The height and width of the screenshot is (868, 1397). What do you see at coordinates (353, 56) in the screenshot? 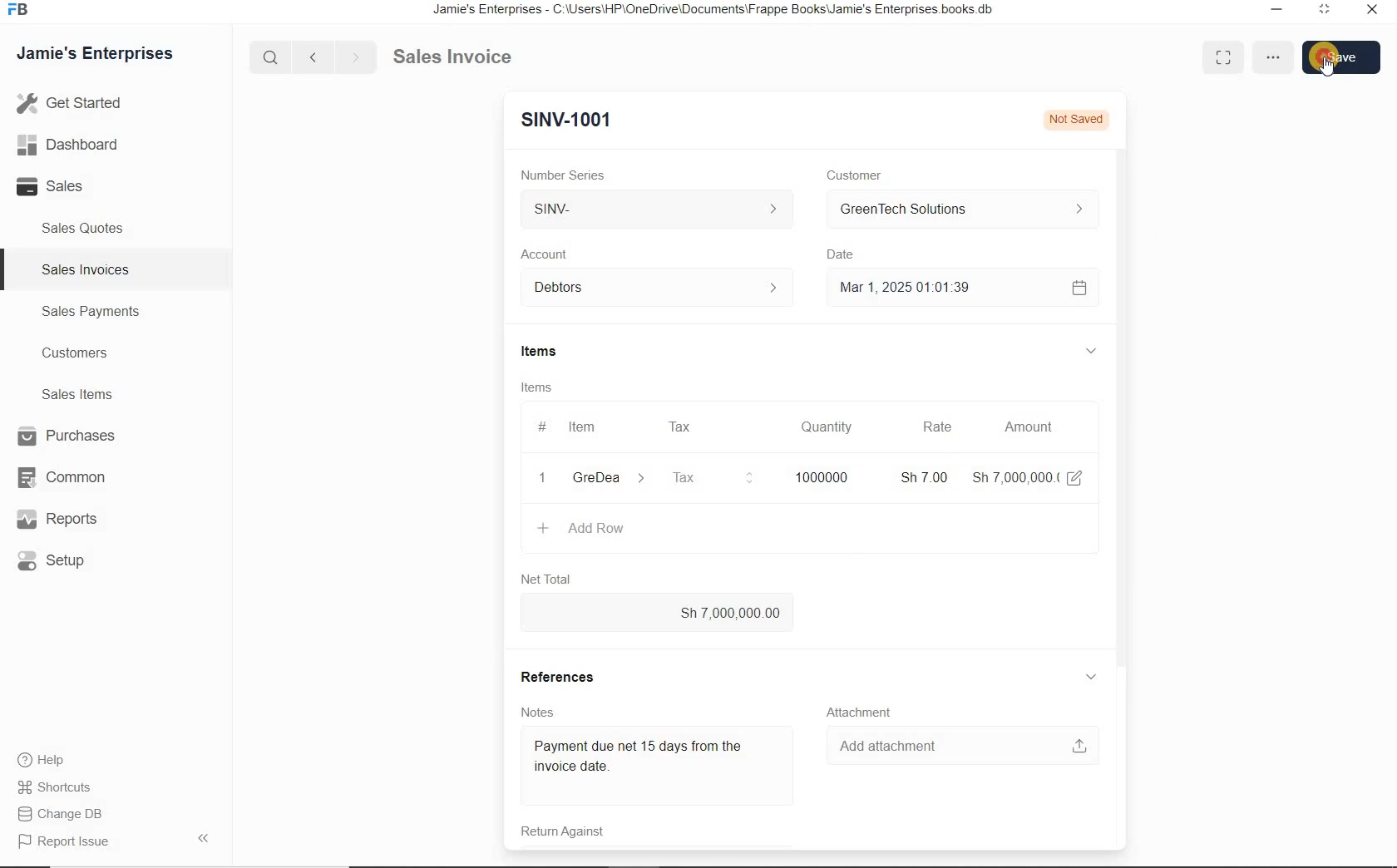
I see `next page` at bounding box center [353, 56].